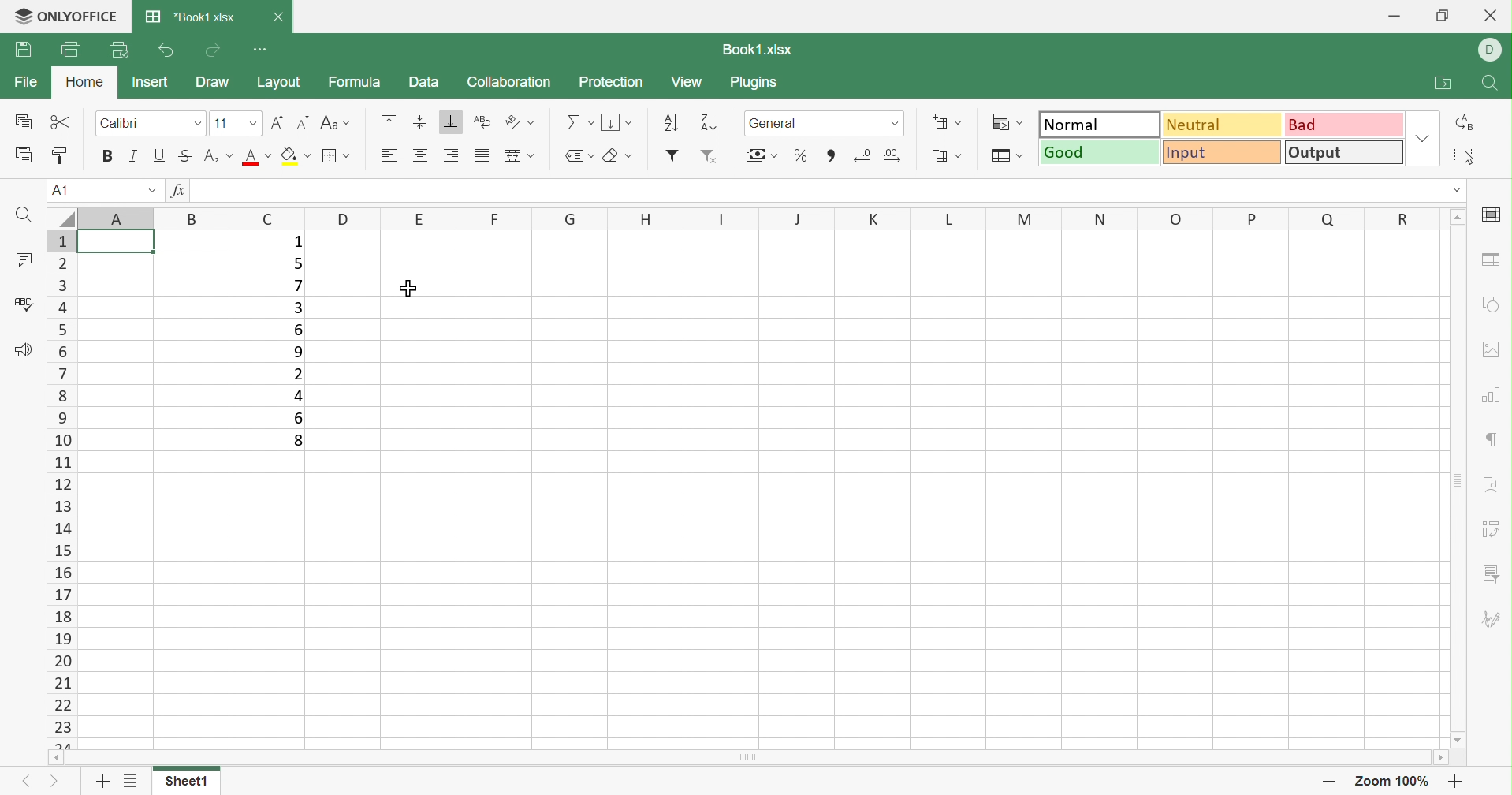 The width and height of the screenshot is (1512, 795). I want to click on Change case, so click(337, 125).